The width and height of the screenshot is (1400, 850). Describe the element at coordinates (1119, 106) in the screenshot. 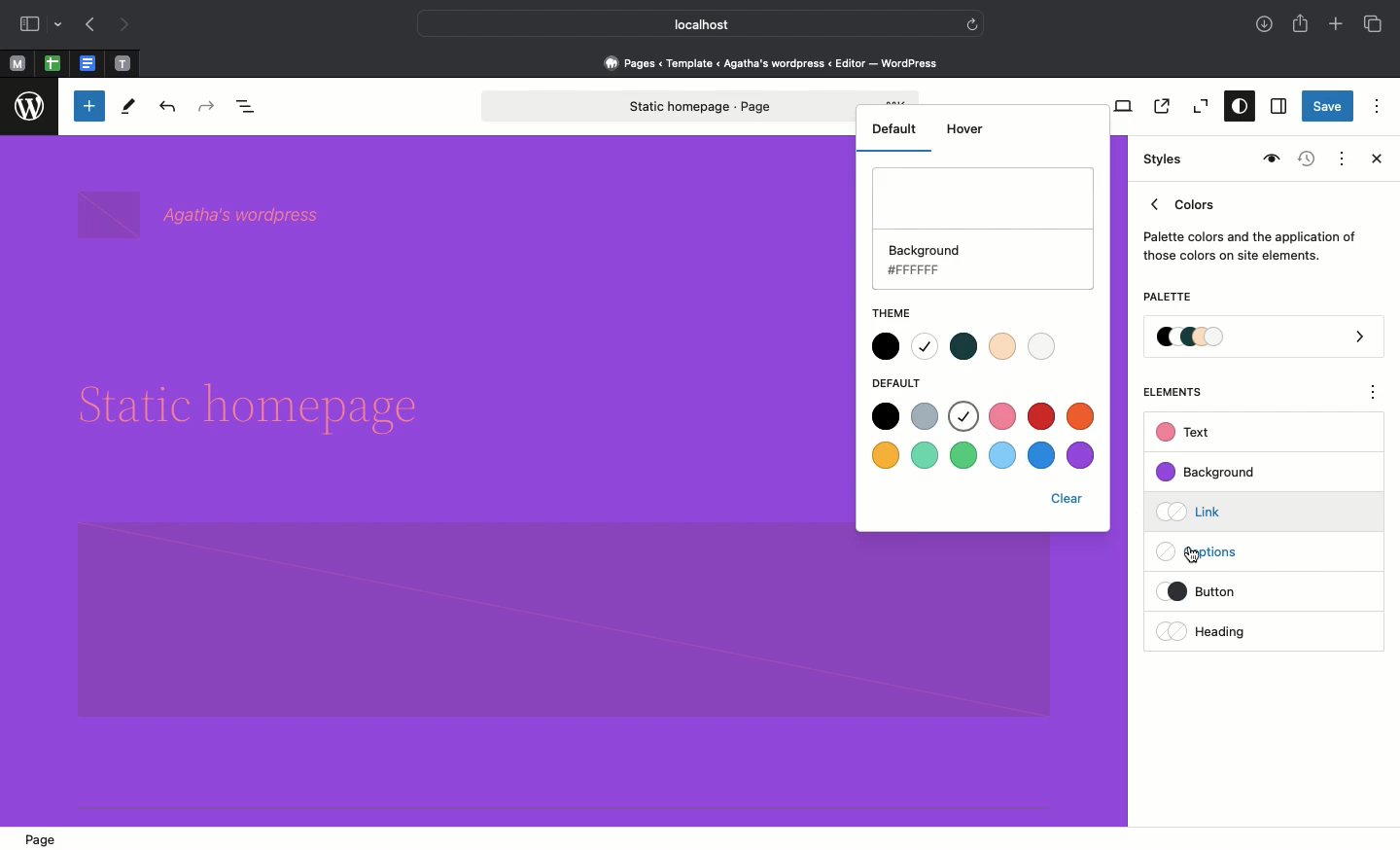

I see `View` at that location.